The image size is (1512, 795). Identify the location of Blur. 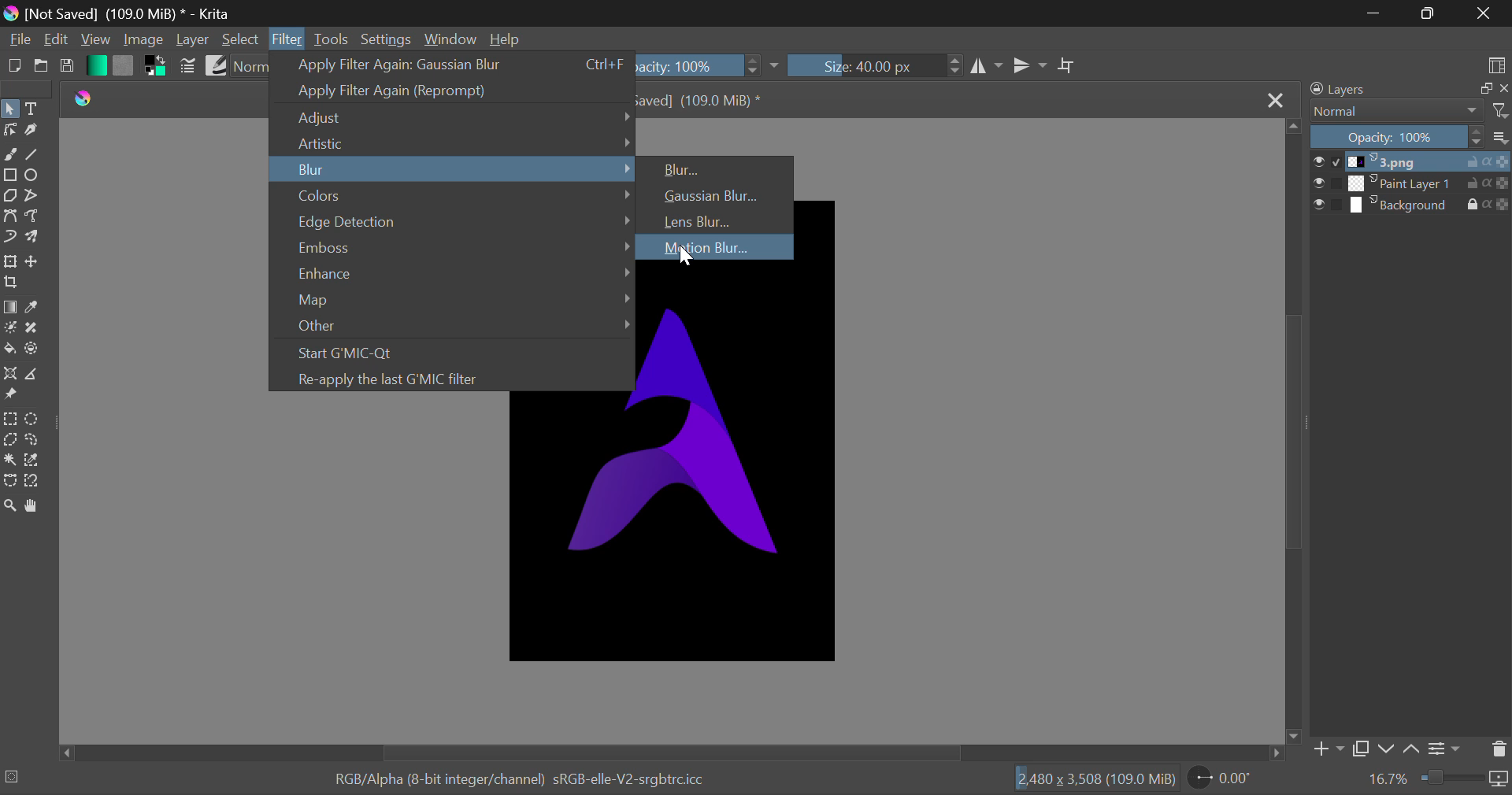
(452, 168).